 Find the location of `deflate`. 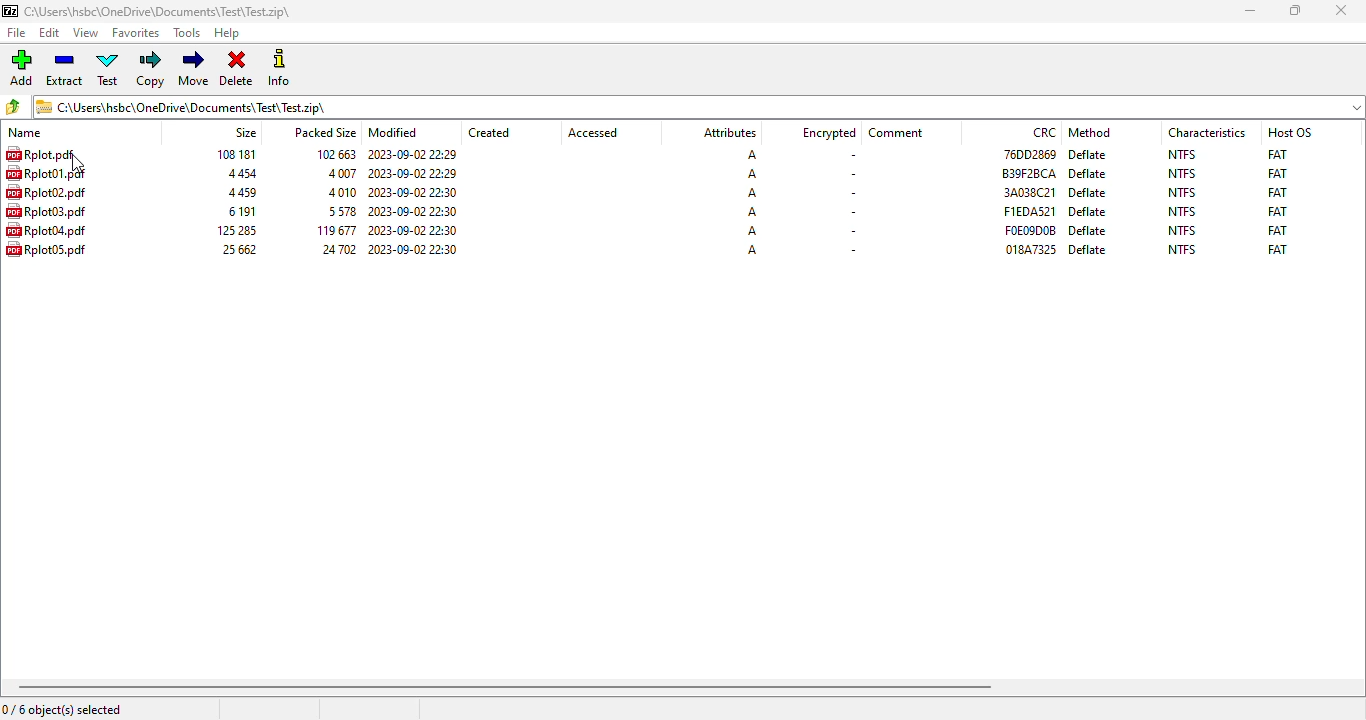

deflate is located at coordinates (1088, 174).